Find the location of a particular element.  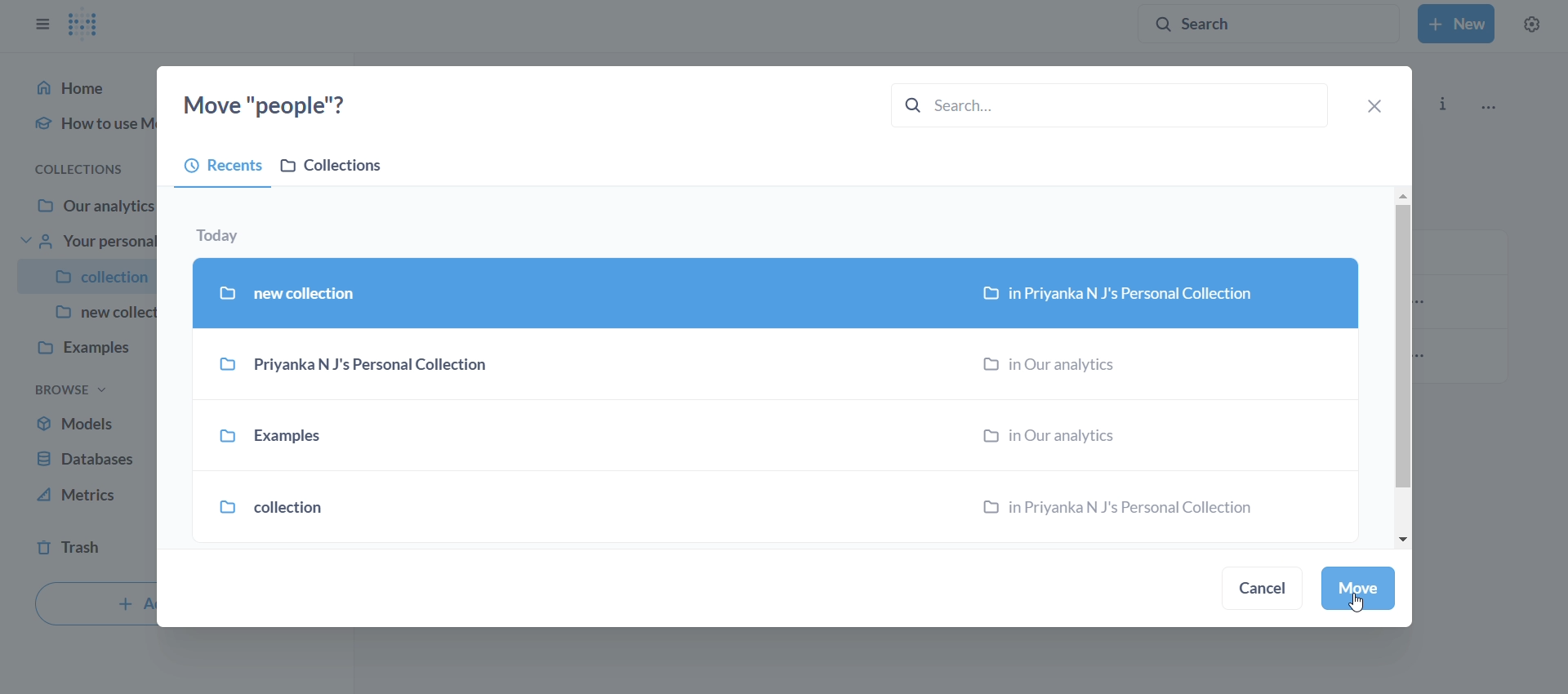

New is located at coordinates (1458, 22).